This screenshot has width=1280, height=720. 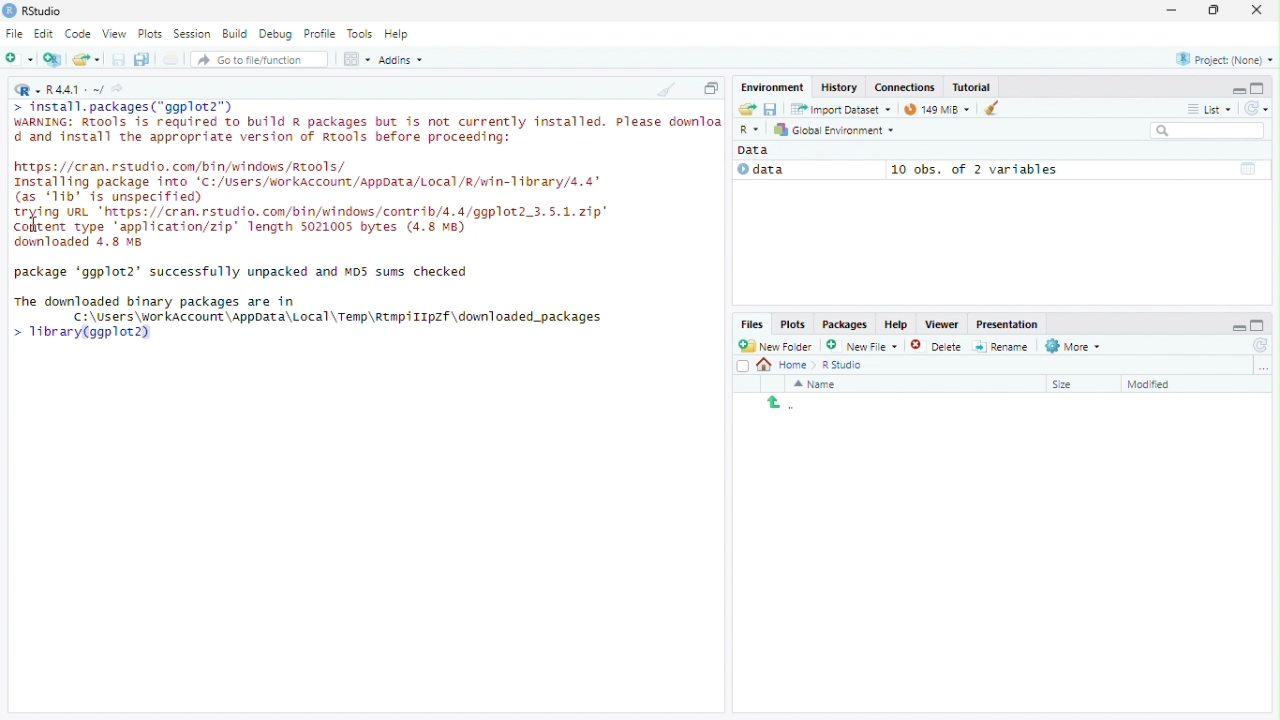 I want to click on History, so click(x=837, y=87).